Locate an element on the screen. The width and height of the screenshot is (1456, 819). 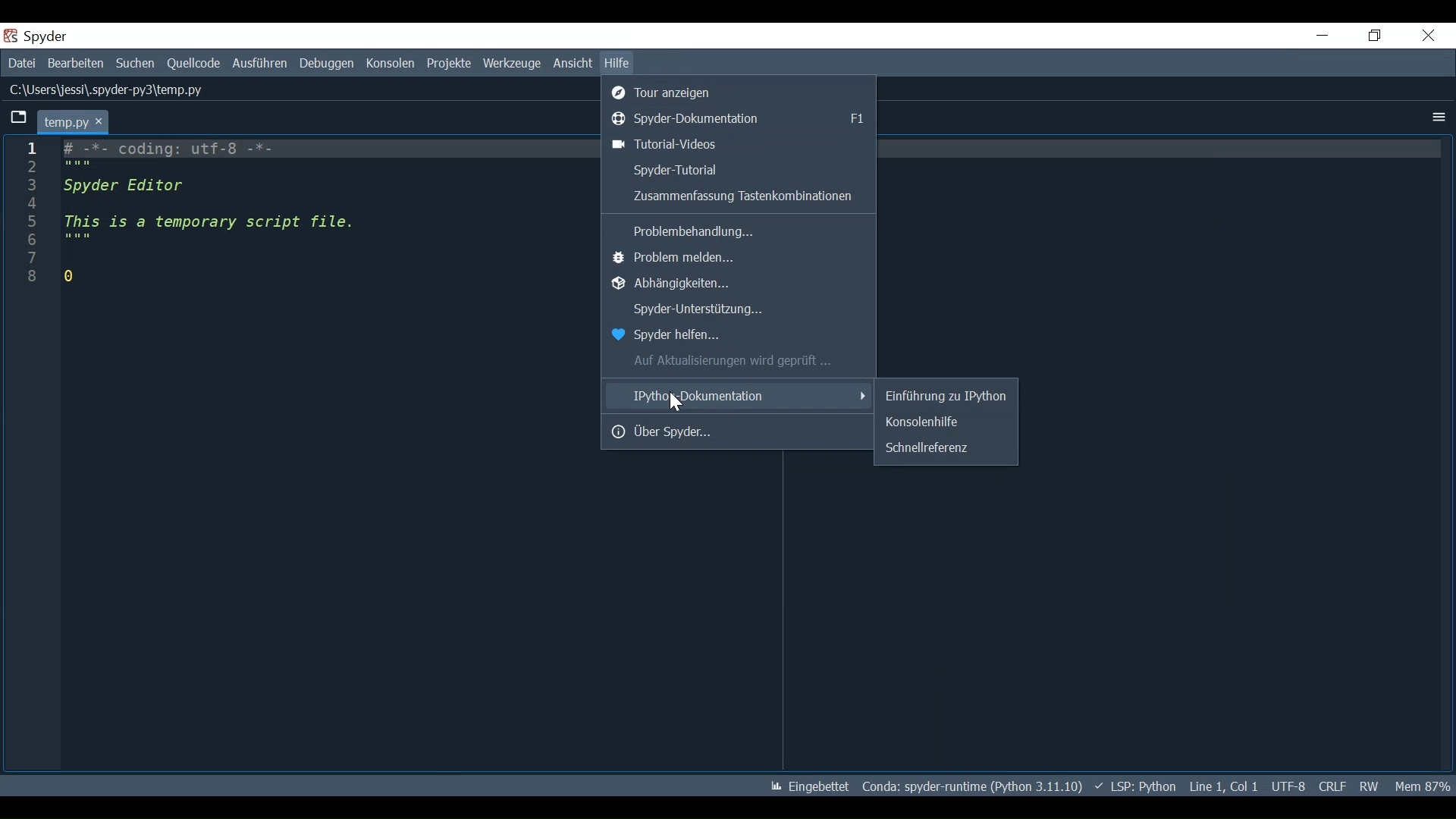
spyder app name is located at coordinates (78, 36).